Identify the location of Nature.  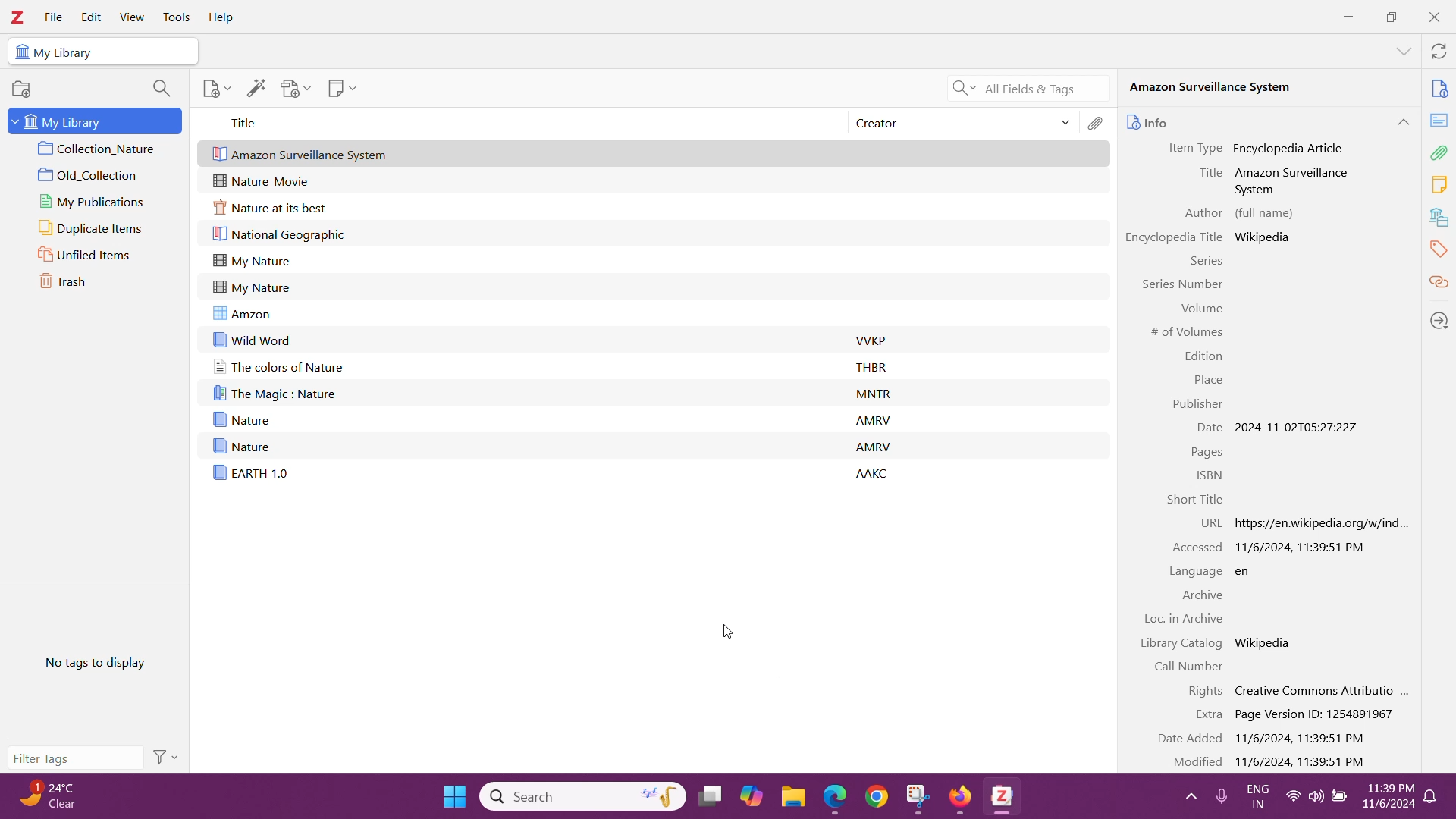
(240, 447).